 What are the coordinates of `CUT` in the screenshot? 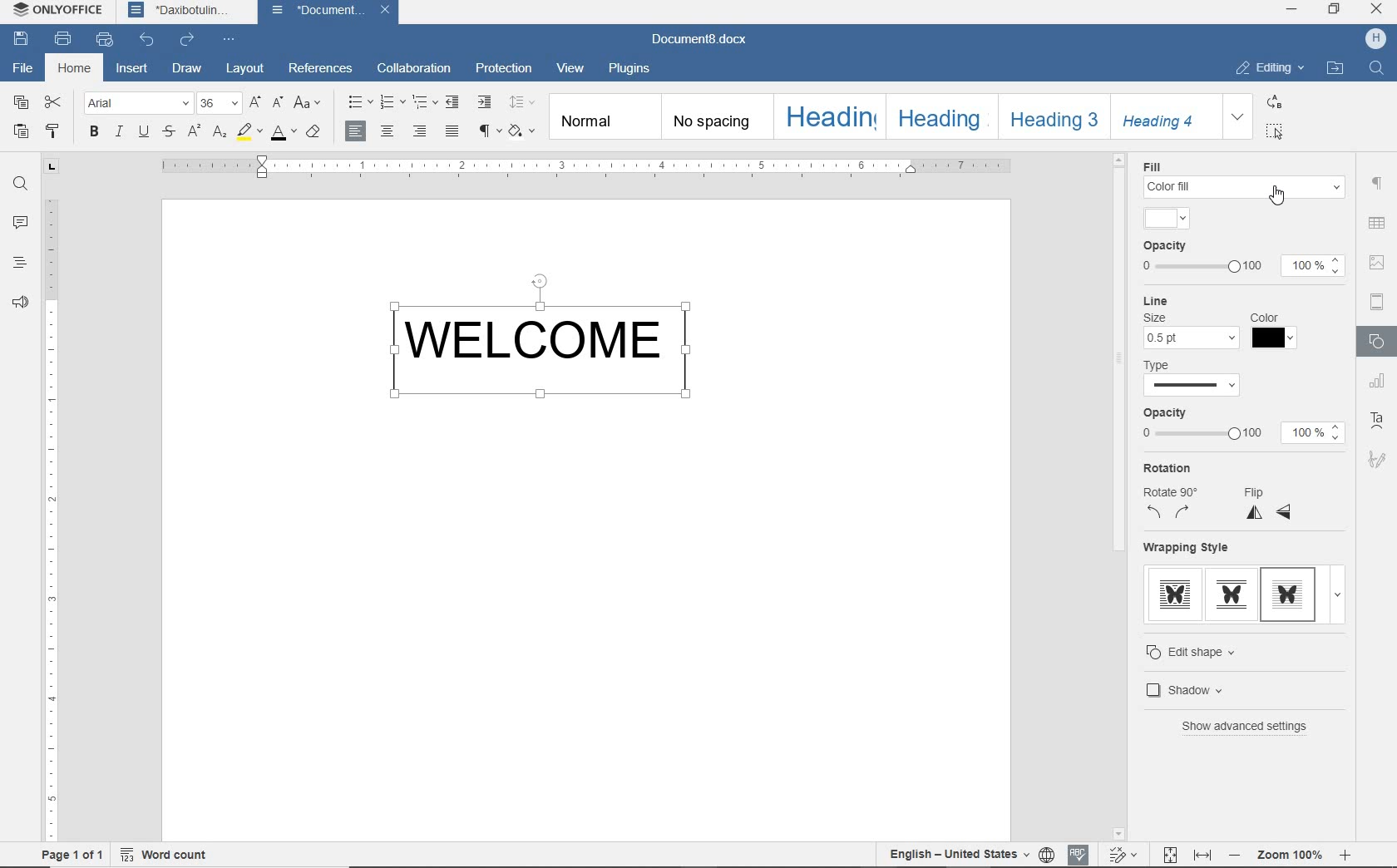 It's located at (55, 102).